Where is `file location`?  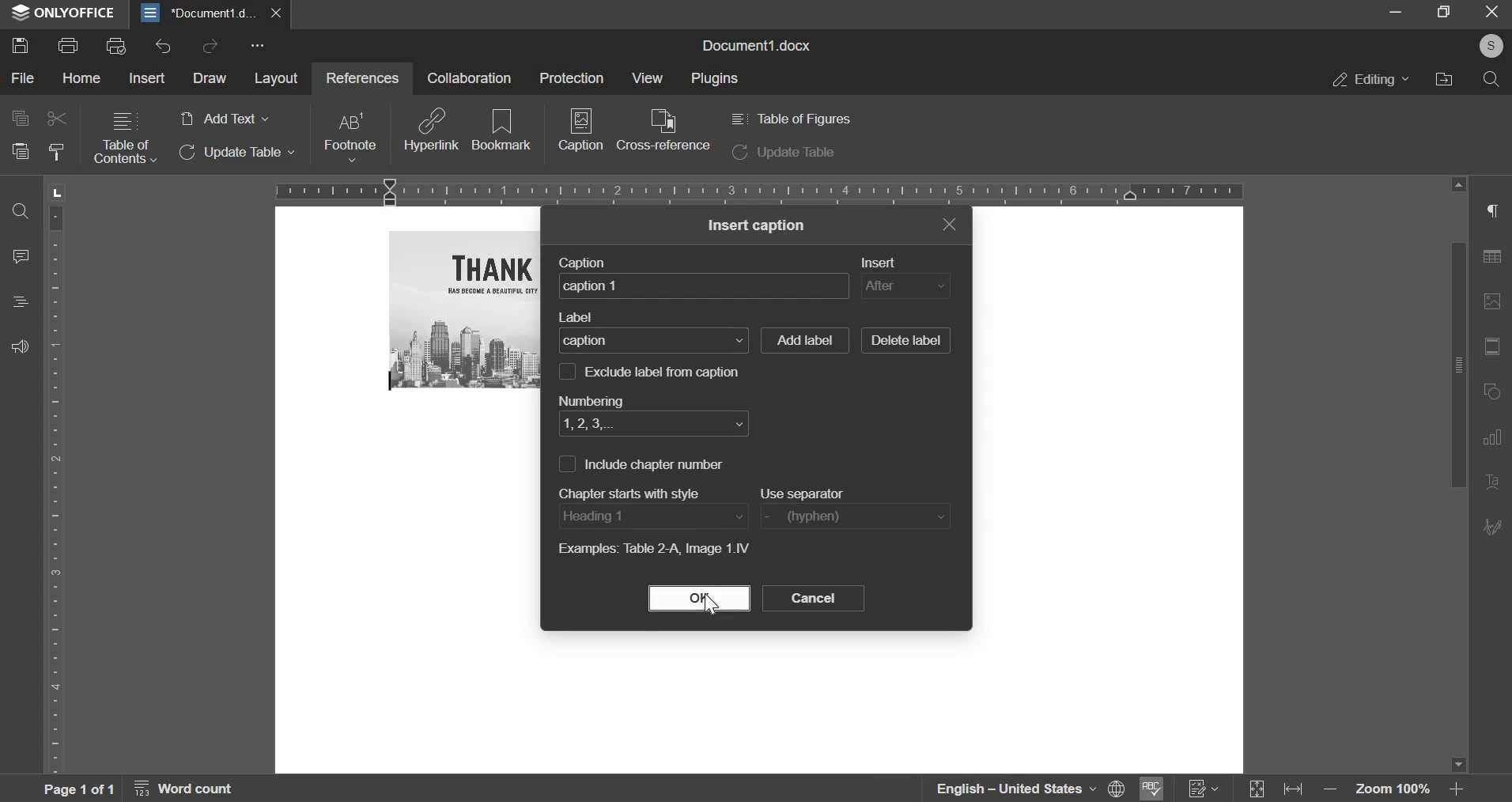
file location is located at coordinates (1443, 78).